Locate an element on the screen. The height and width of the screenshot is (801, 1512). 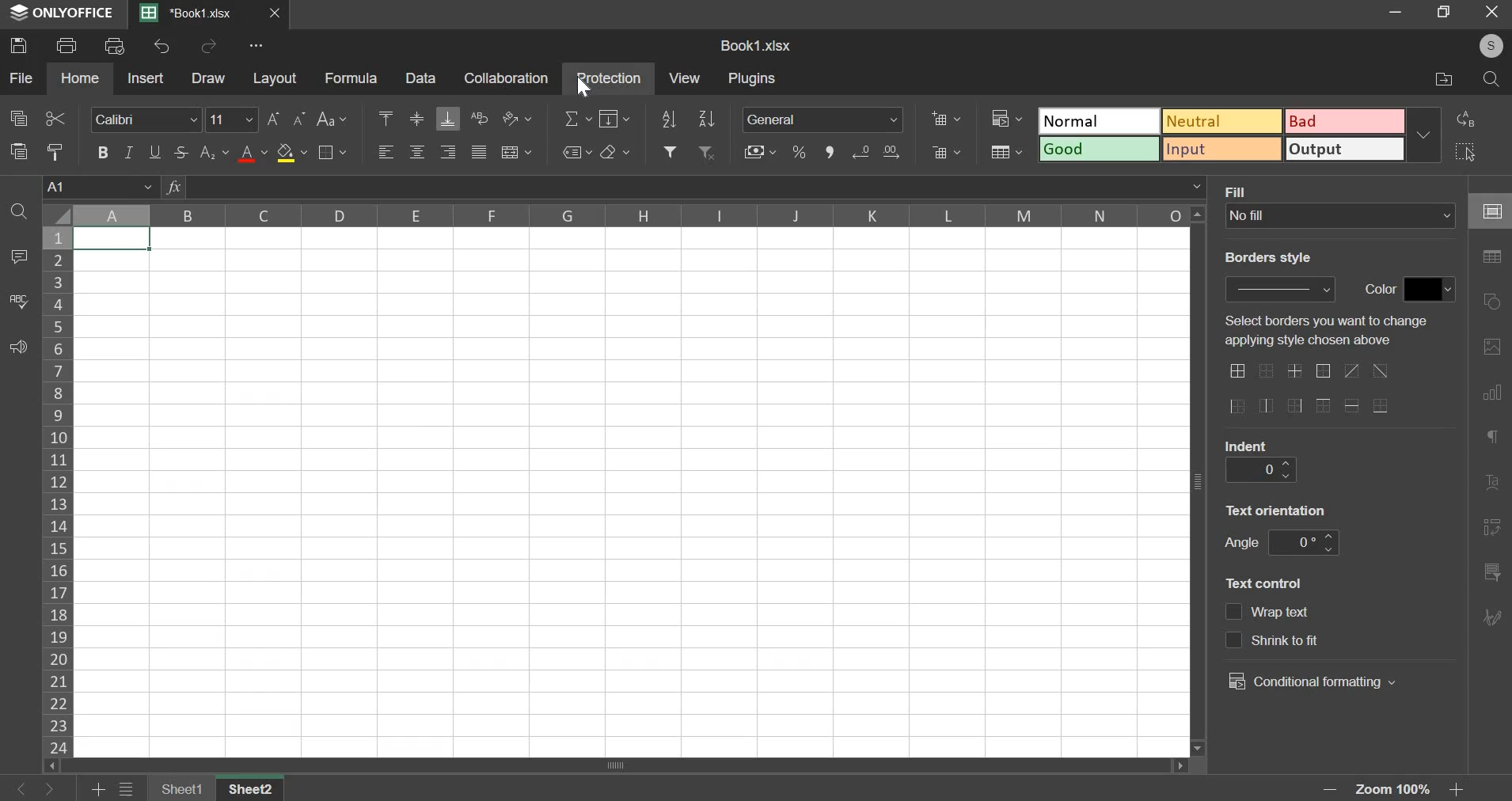
border options is located at coordinates (1293, 408).